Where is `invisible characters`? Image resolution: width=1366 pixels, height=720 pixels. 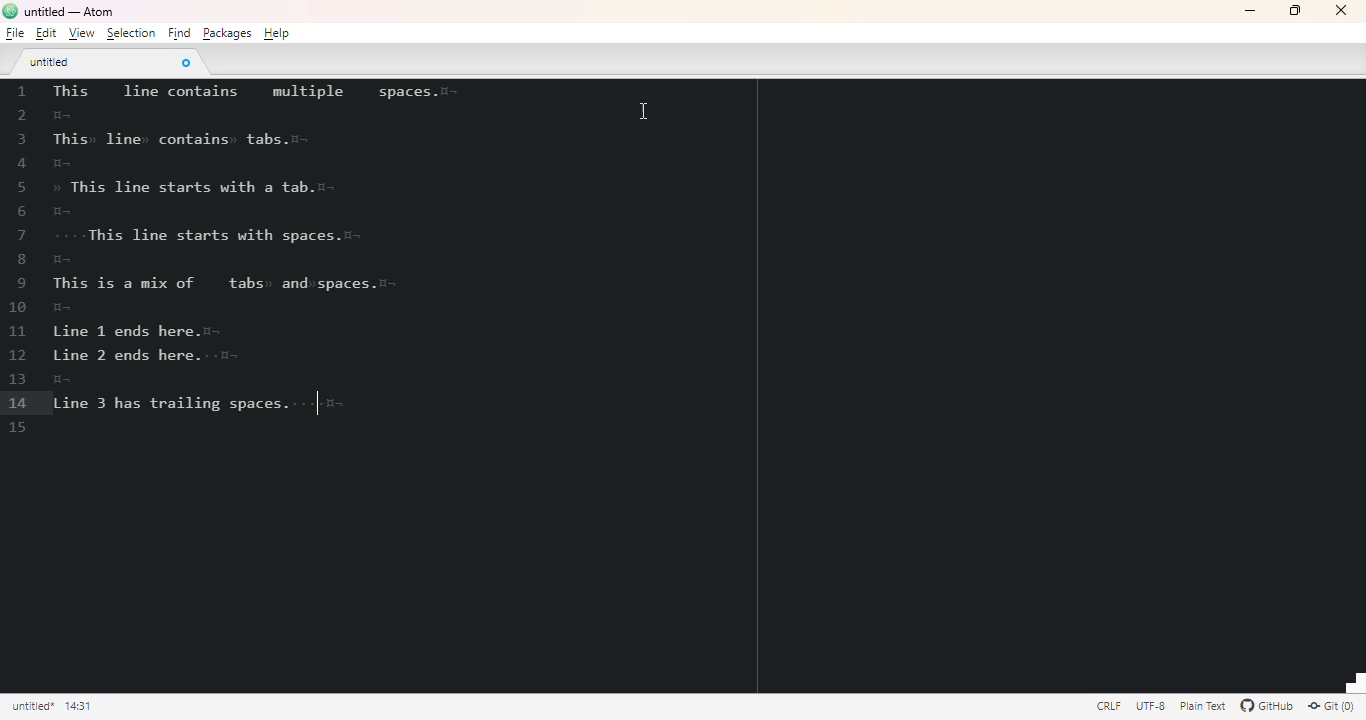 invisible characters is located at coordinates (318, 402).